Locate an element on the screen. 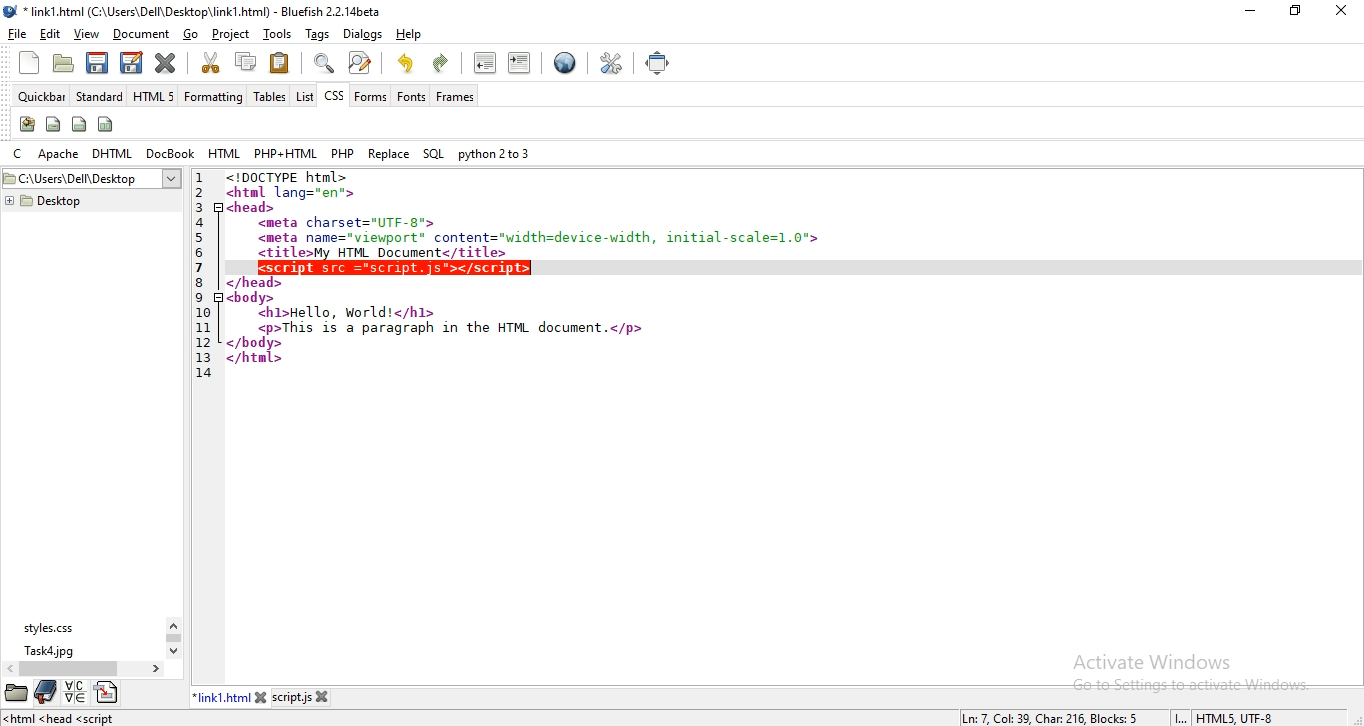  desktop is located at coordinates (93, 179).